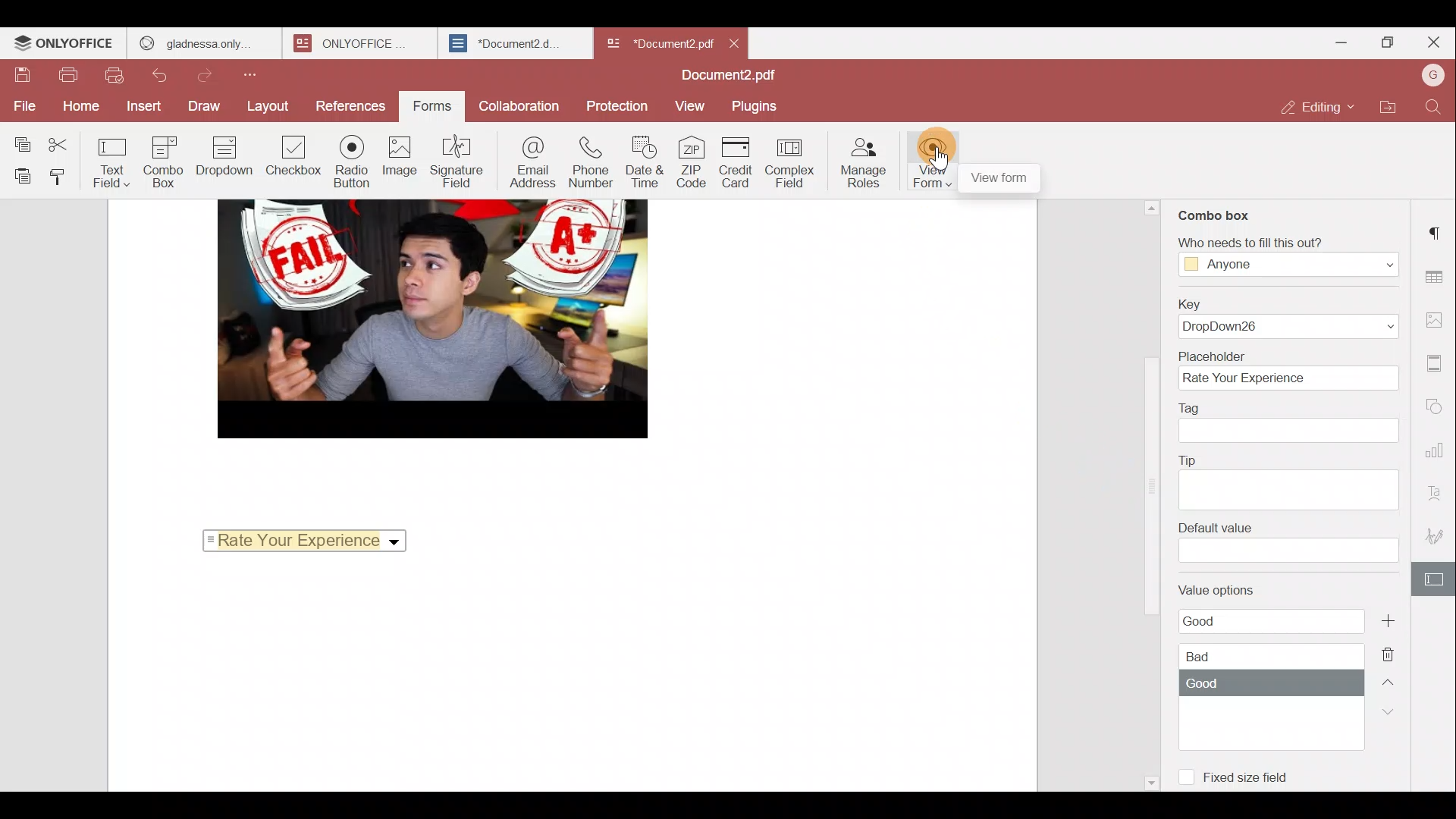  I want to click on Print file, so click(68, 77).